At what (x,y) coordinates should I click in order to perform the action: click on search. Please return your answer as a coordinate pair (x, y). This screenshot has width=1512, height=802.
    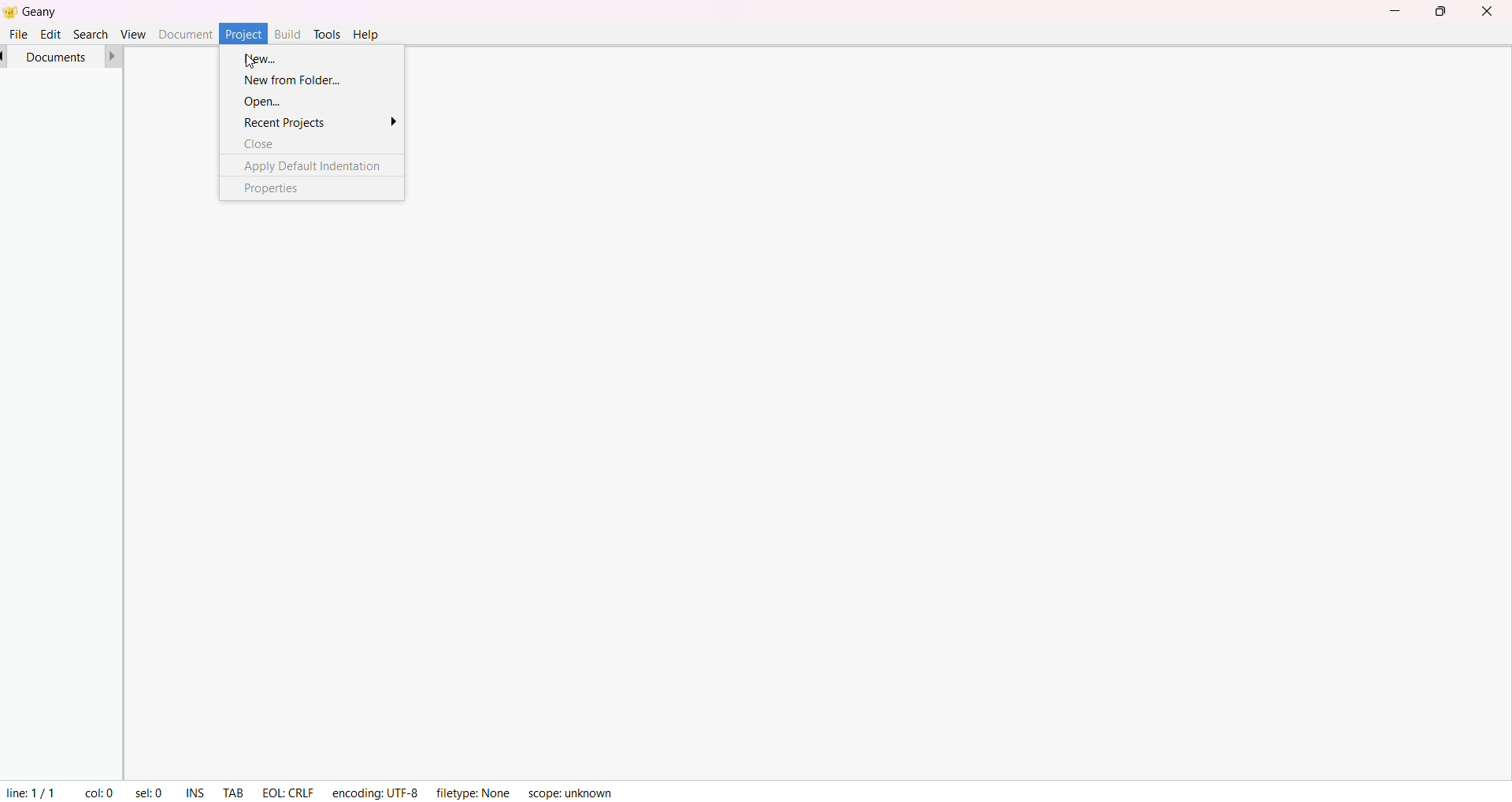
    Looking at the image, I should click on (89, 33).